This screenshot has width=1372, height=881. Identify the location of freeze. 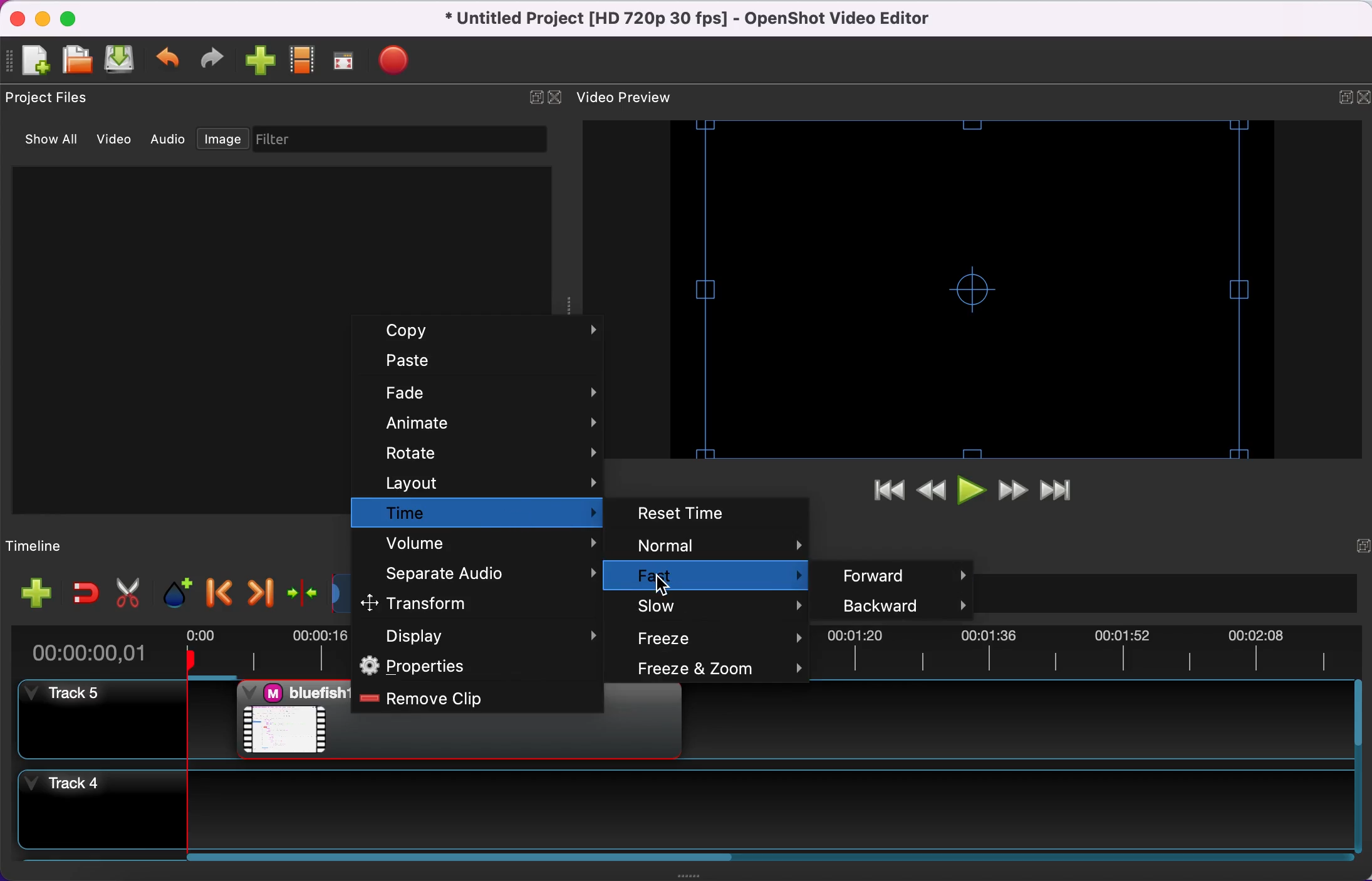
(721, 638).